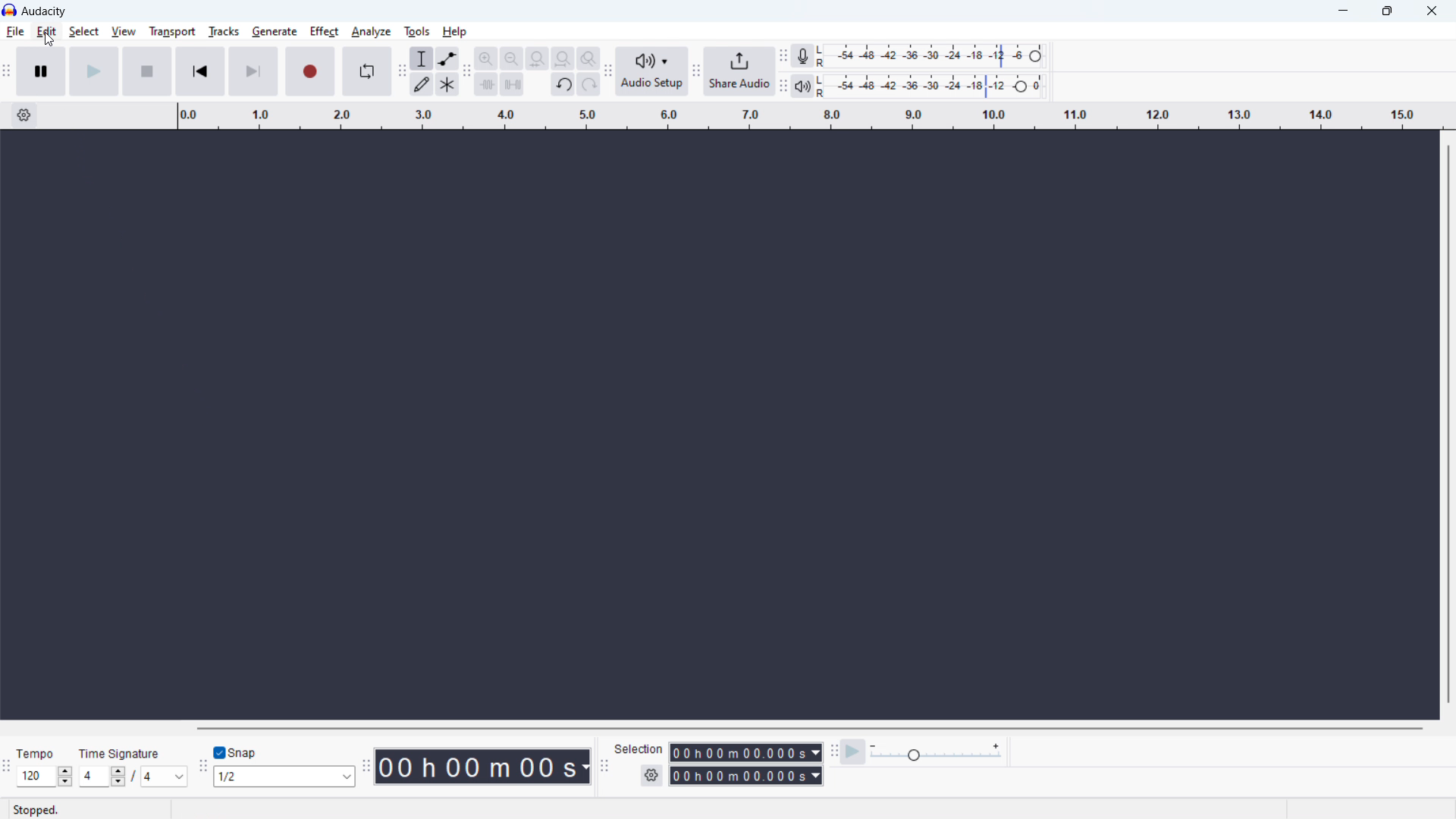 This screenshot has width=1456, height=819. I want to click on Increase/Decrease Tempo, so click(65, 777).